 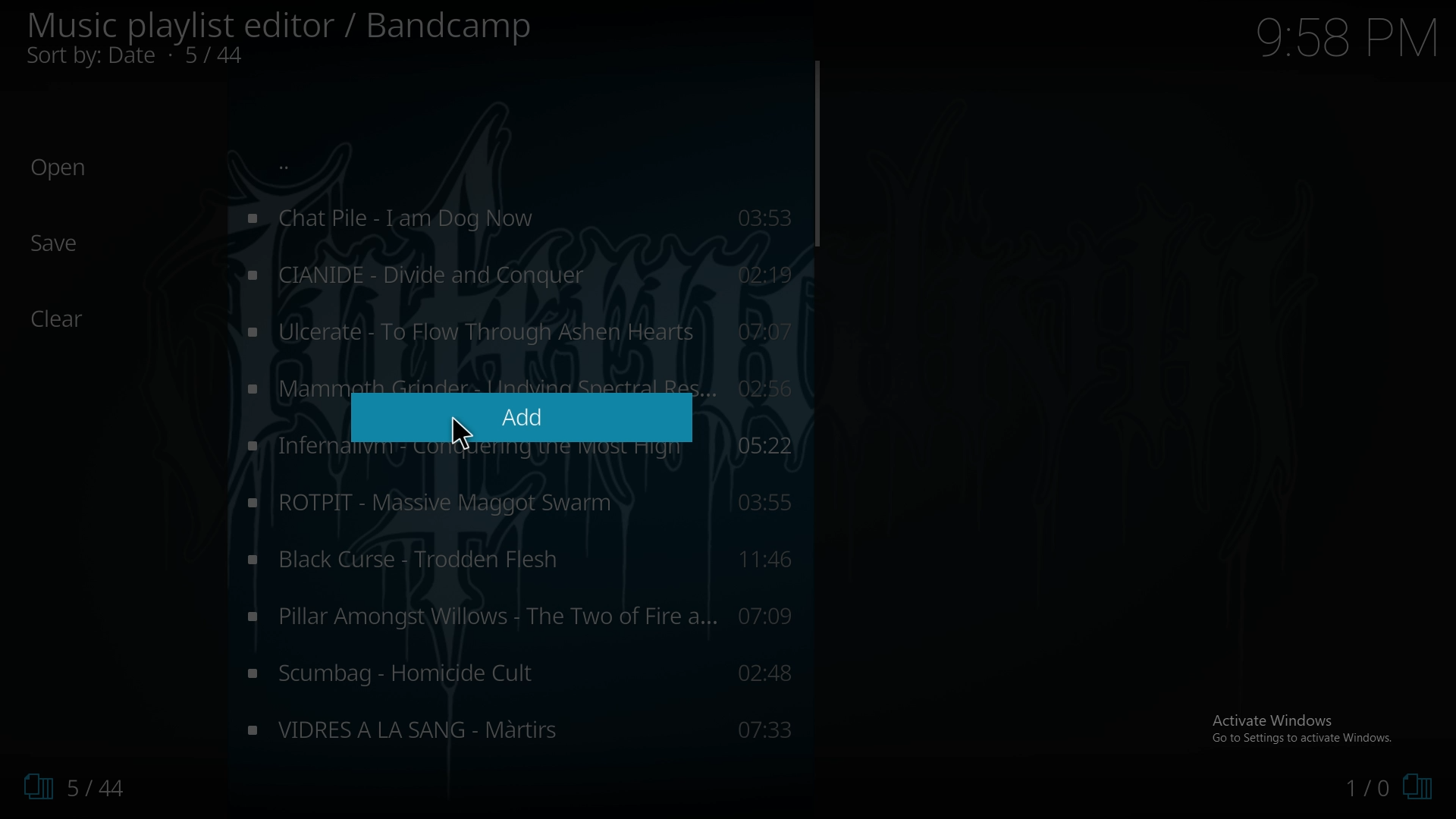 What do you see at coordinates (520, 417) in the screenshot?
I see `add` at bounding box center [520, 417].